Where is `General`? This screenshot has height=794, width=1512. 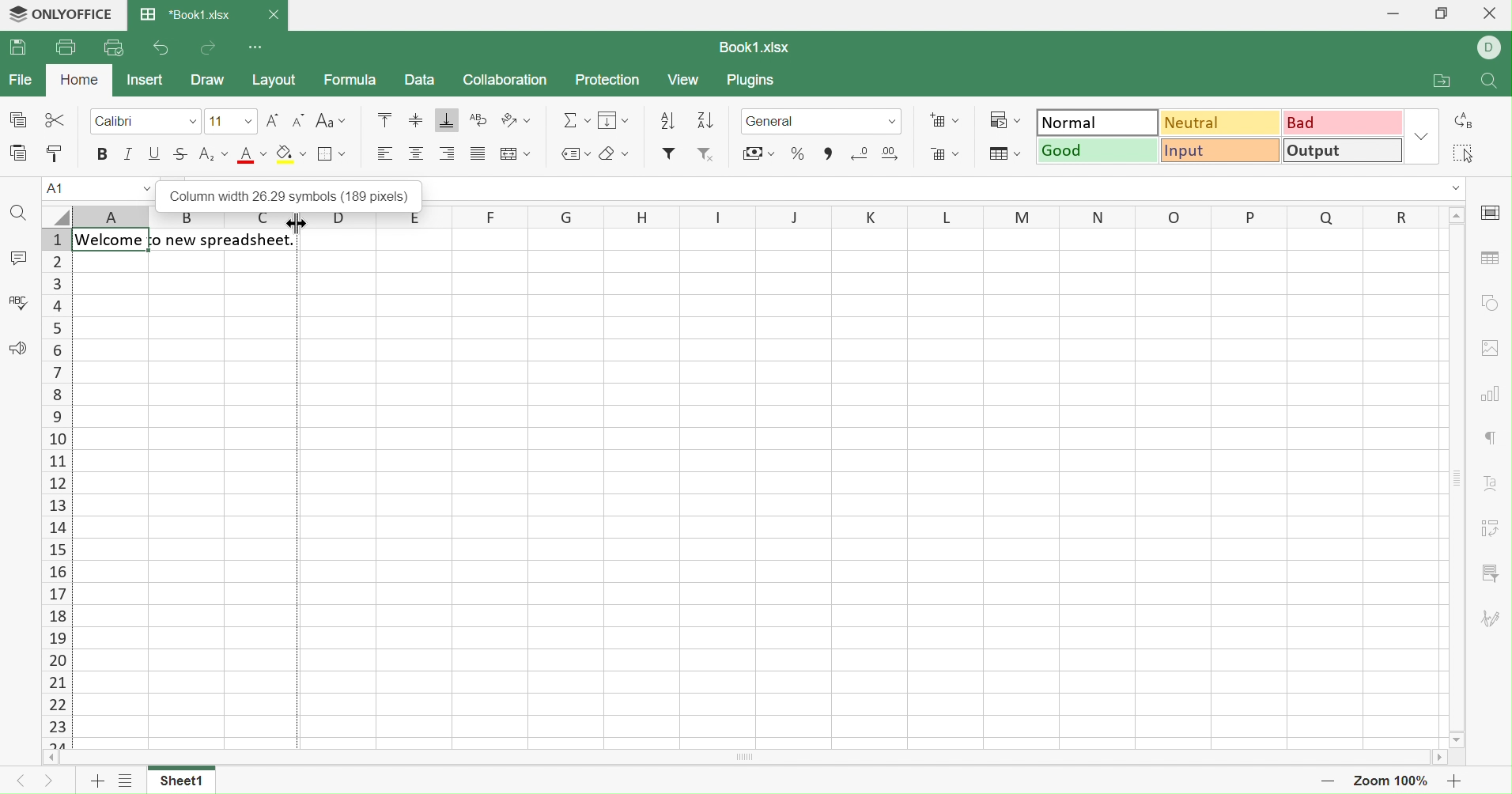 General is located at coordinates (822, 119).